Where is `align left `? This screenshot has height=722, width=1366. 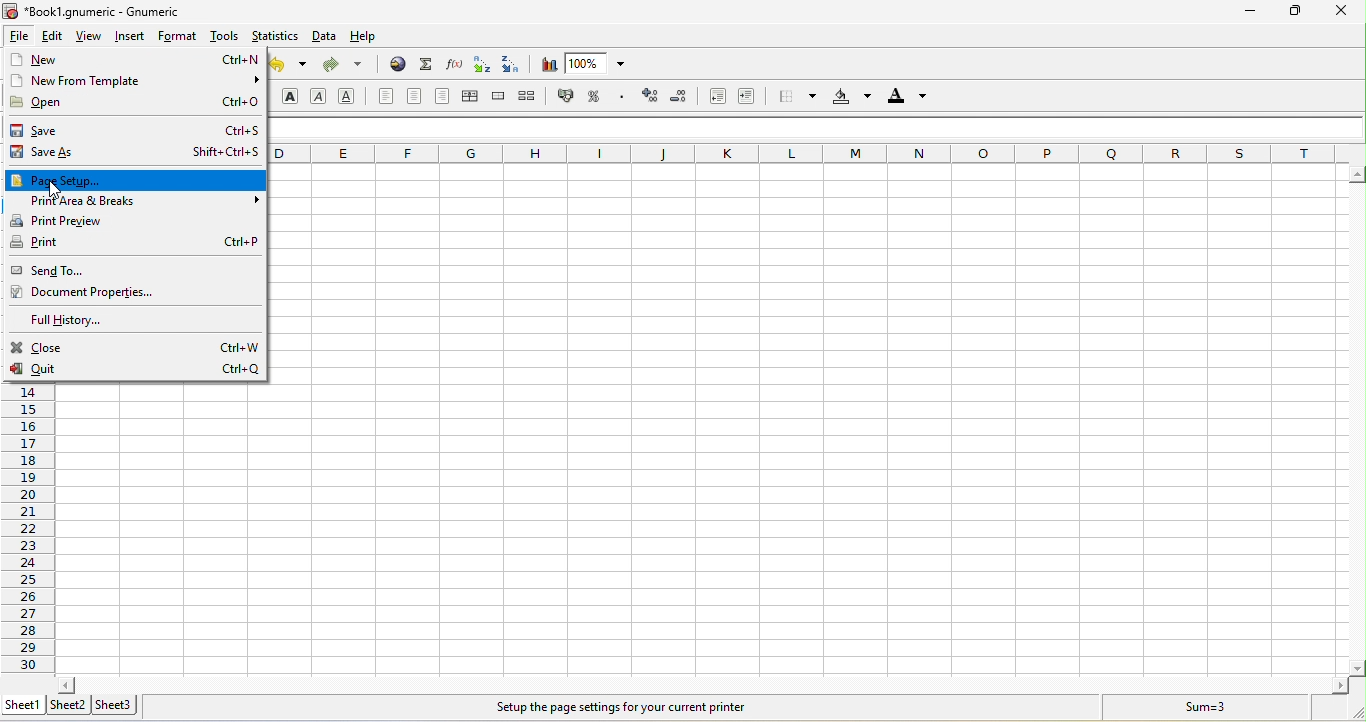 align left  is located at coordinates (384, 97).